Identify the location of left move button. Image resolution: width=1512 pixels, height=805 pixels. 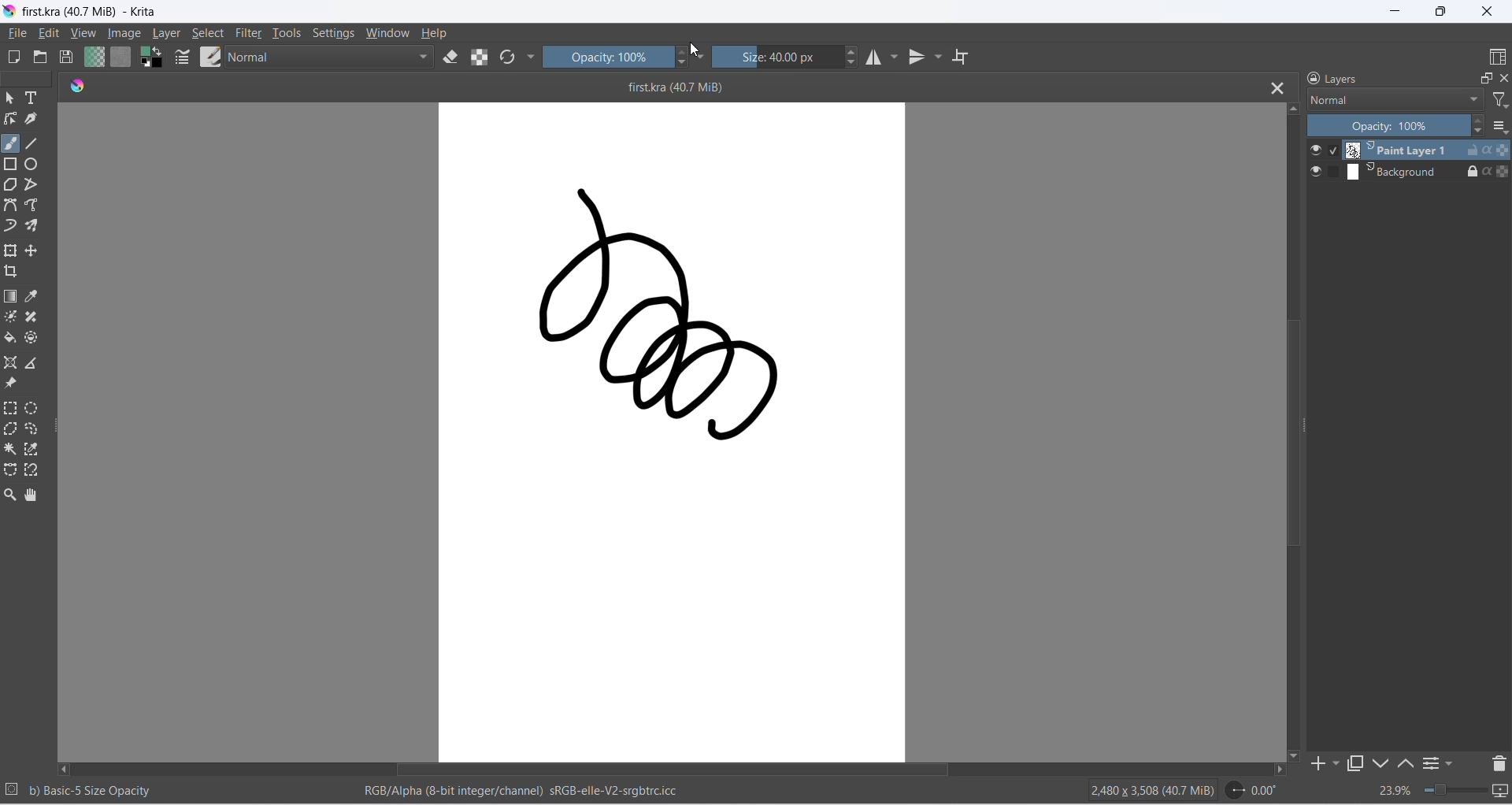
(64, 769).